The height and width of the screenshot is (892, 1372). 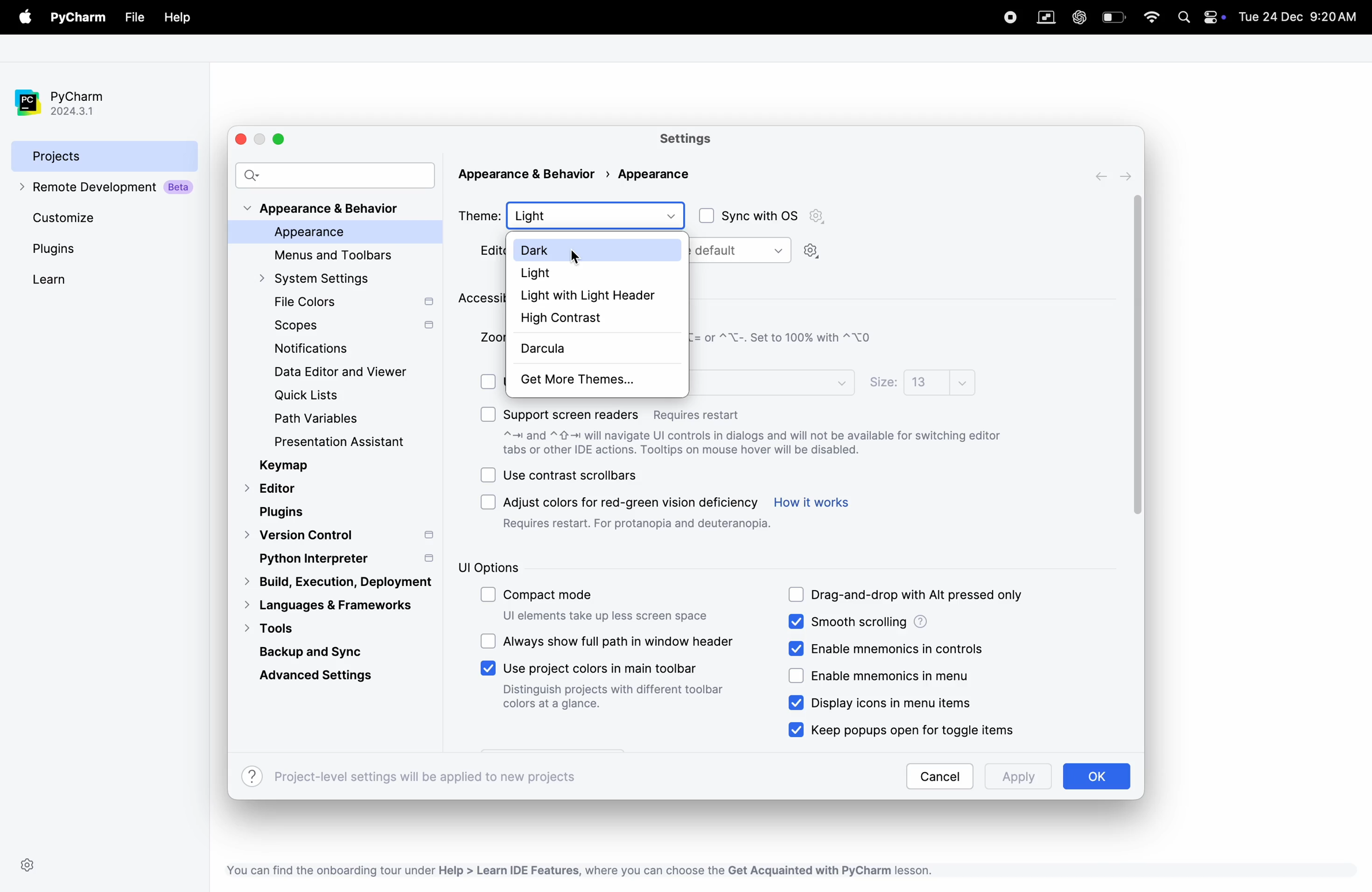 What do you see at coordinates (488, 596) in the screenshot?
I see `check box` at bounding box center [488, 596].